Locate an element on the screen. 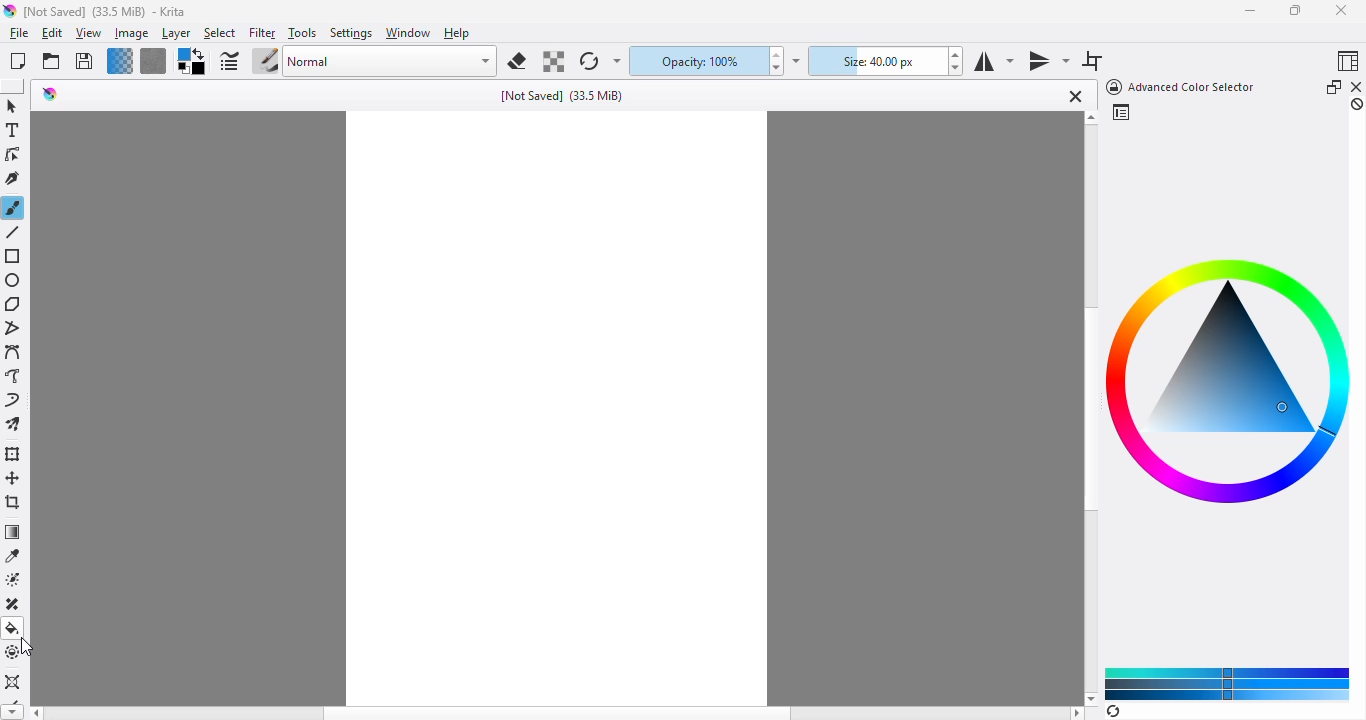 The height and width of the screenshot is (720, 1366). help is located at coordinates (457, 33).